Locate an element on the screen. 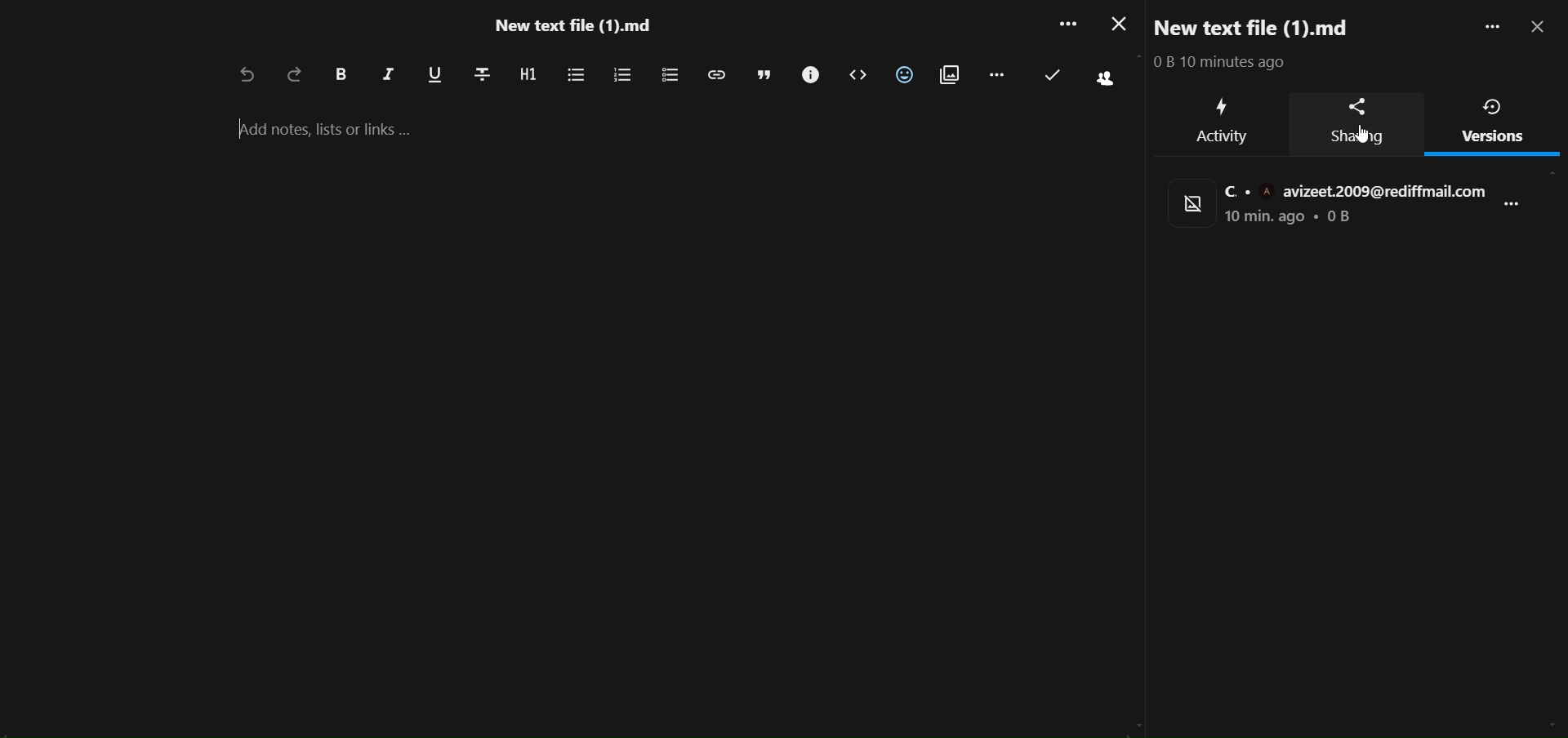  call out  is located at coordinates (808, 75).